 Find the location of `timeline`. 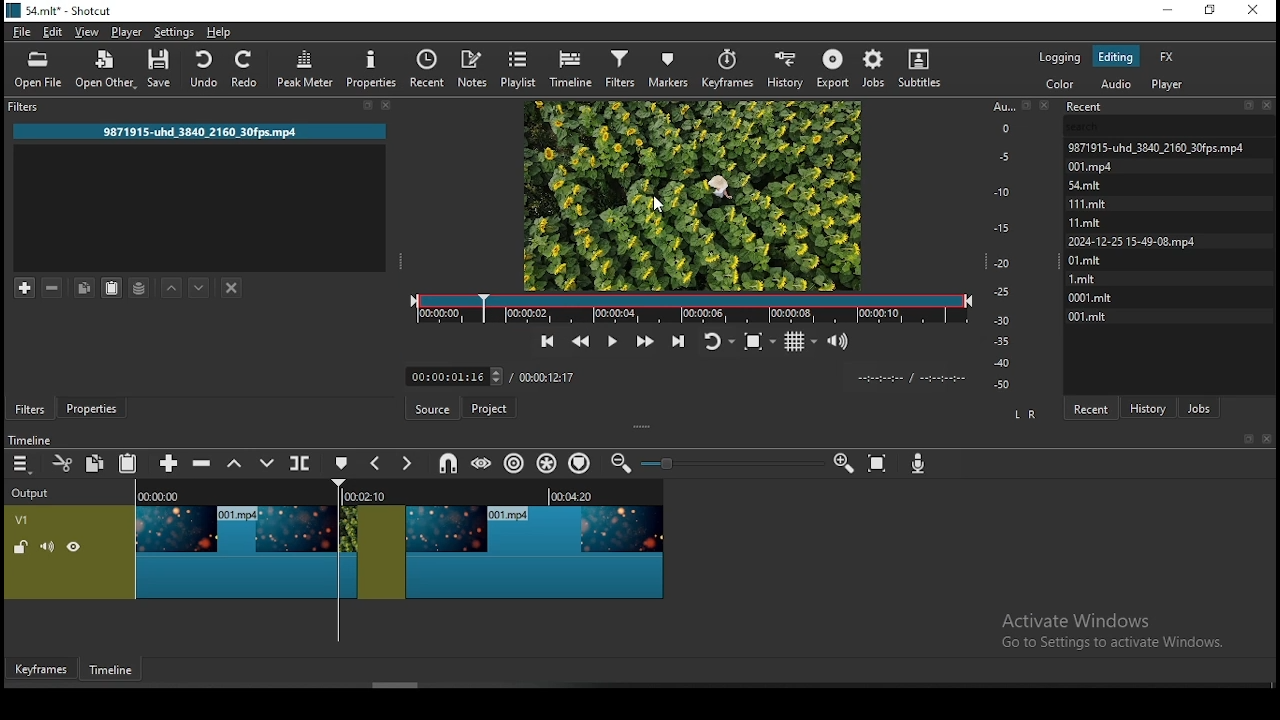

timeline is located at coordinates (573, 67).